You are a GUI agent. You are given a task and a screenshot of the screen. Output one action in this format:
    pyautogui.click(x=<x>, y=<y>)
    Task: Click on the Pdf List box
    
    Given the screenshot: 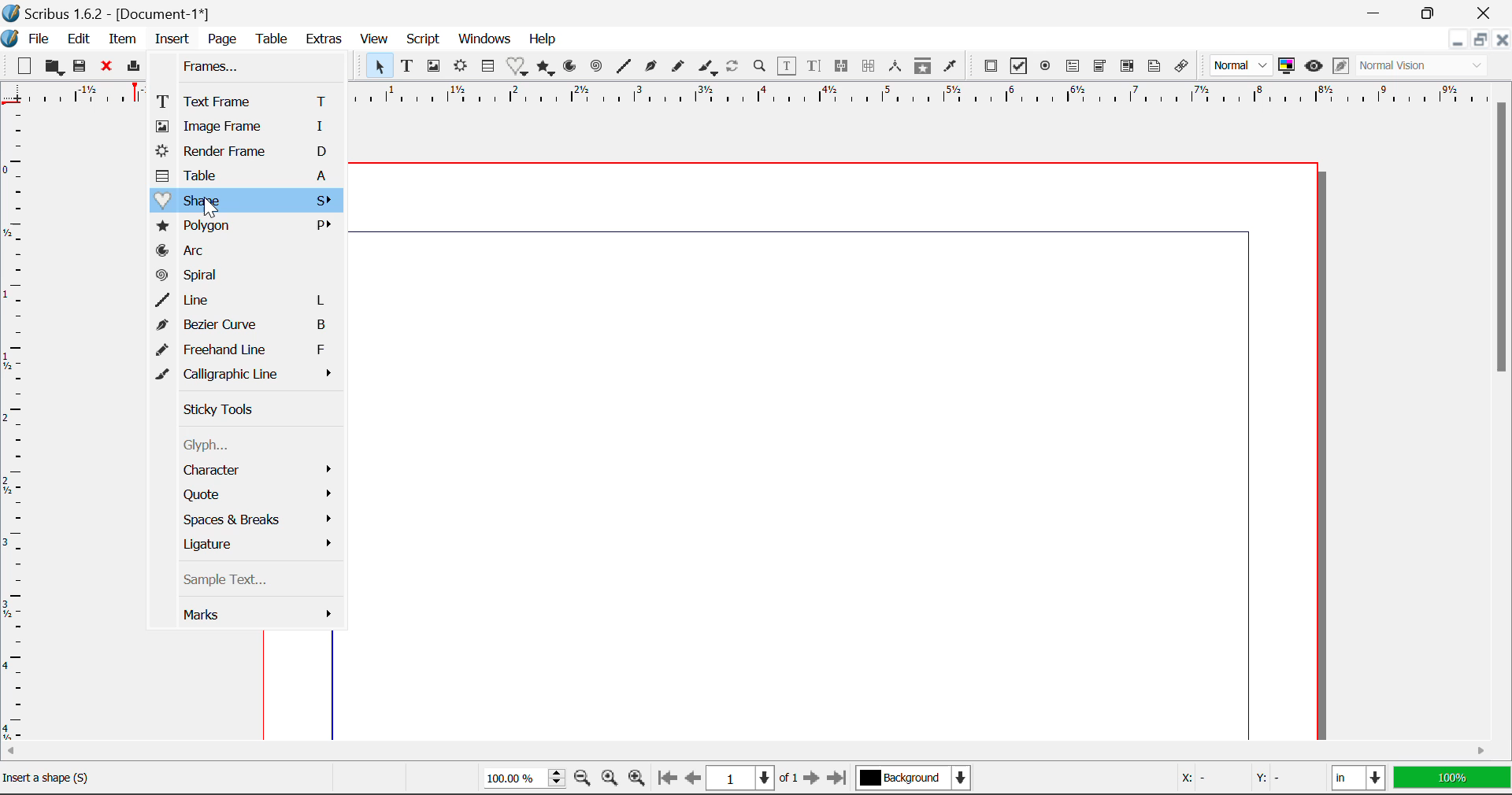 What is the action you would take?
    pyautogui.click(x=1128, y=68)
    